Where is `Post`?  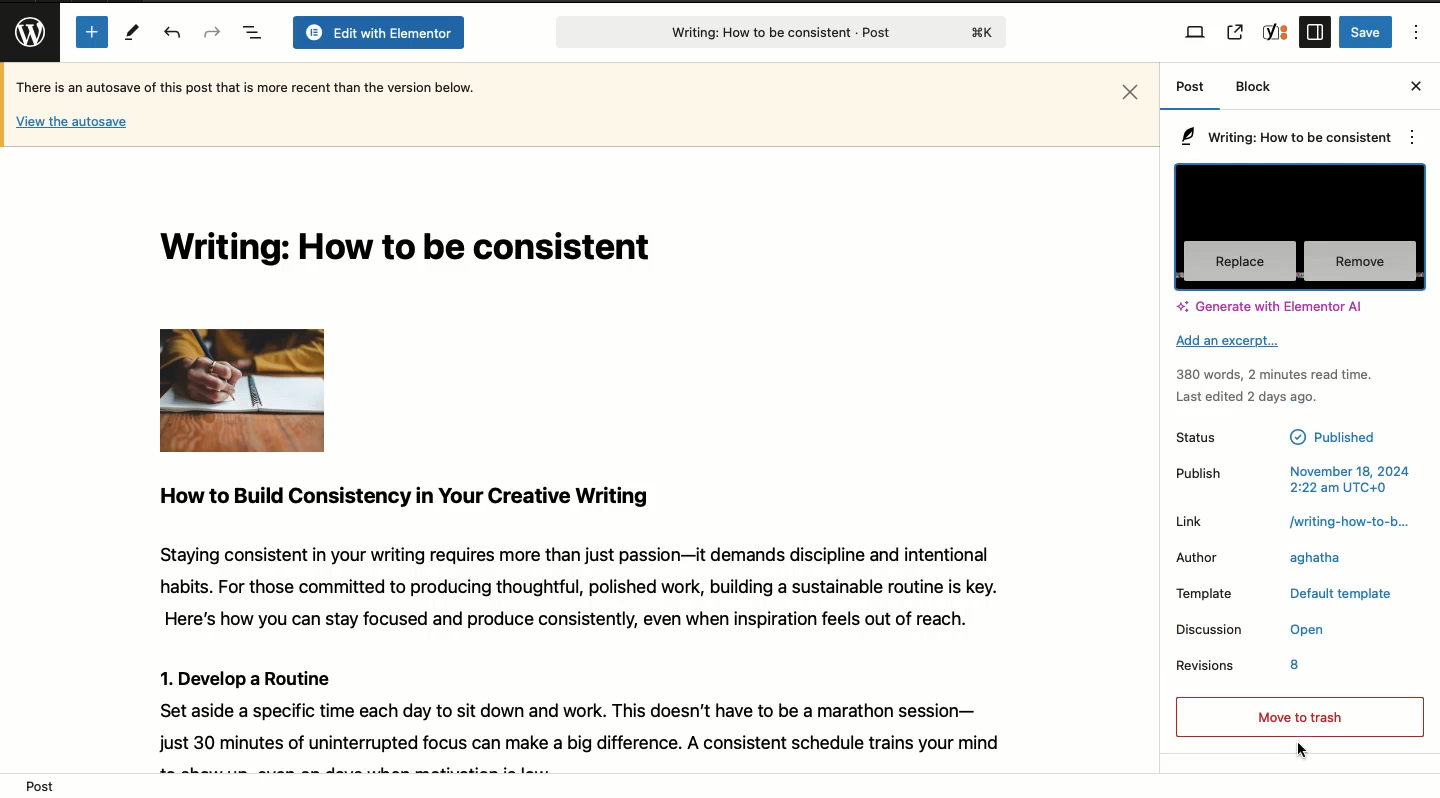 Post is located at coordinates (41, 781).